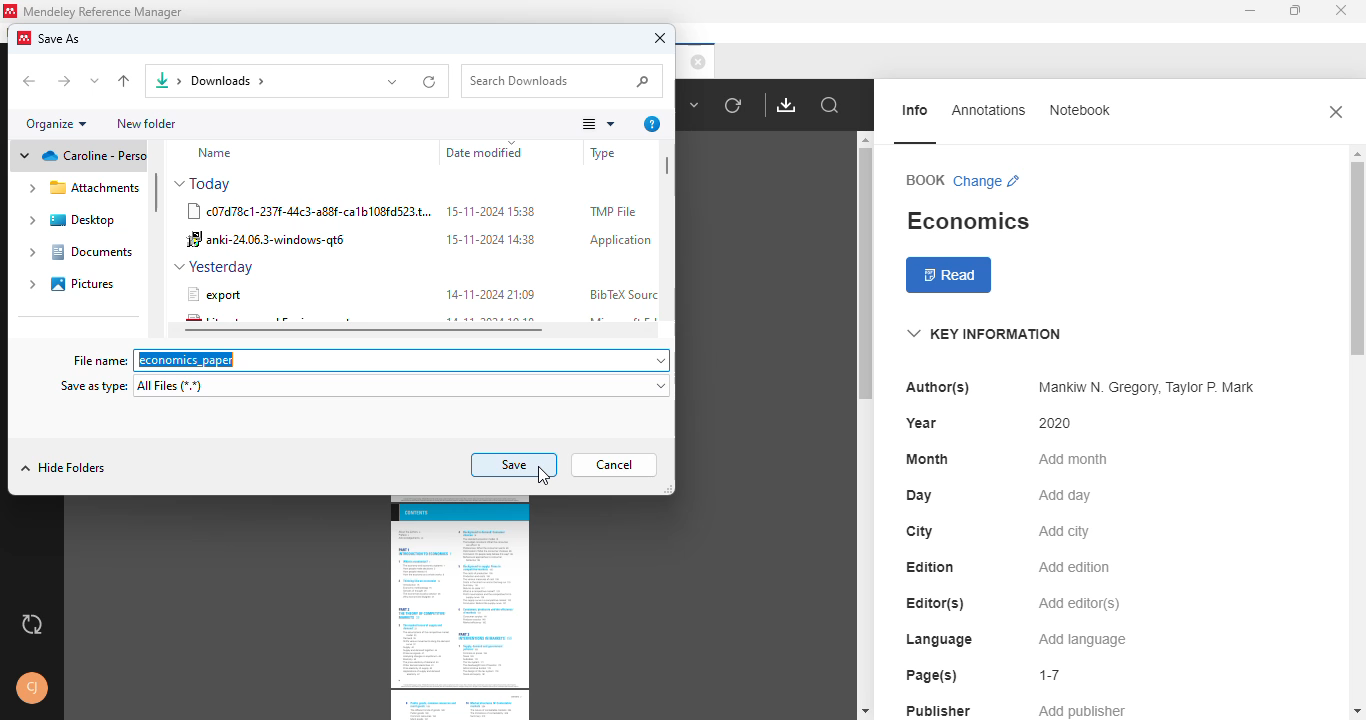 The image size is (1366, 720). I want to click on editor(s), so click(936, 603).